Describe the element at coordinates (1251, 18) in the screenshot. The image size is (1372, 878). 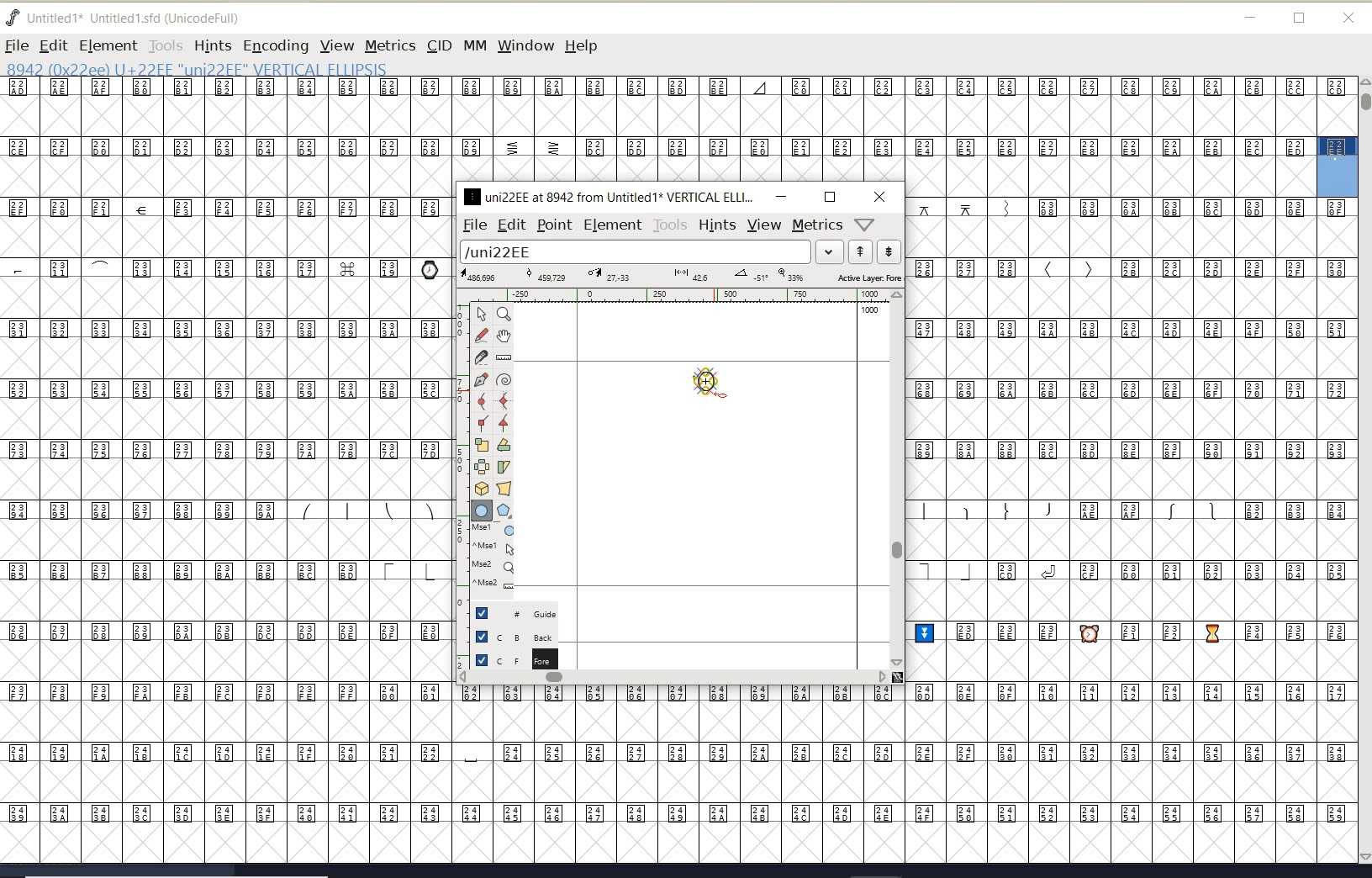
I see `minimize` at that location.